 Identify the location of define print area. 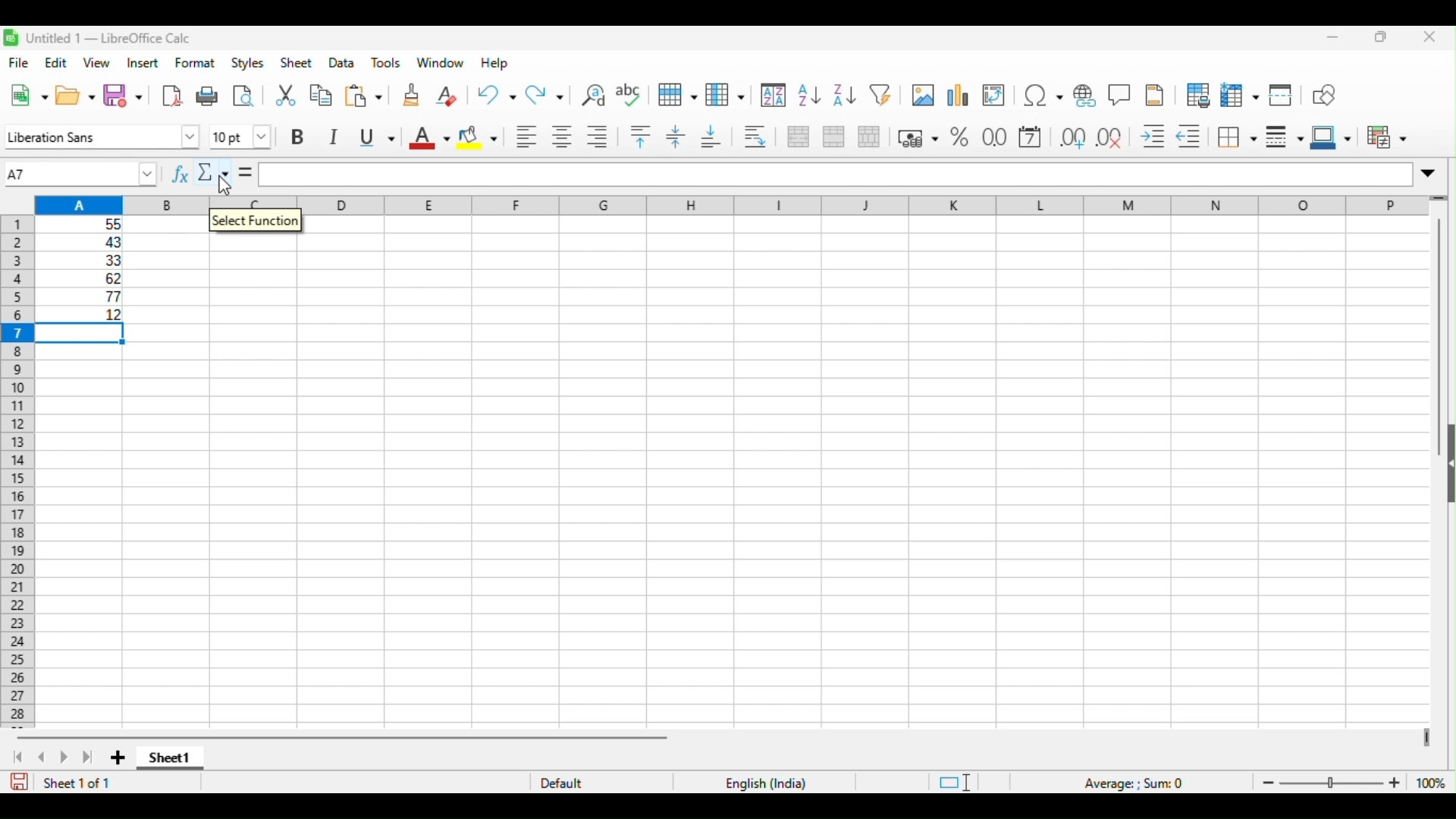
(1197, 93).